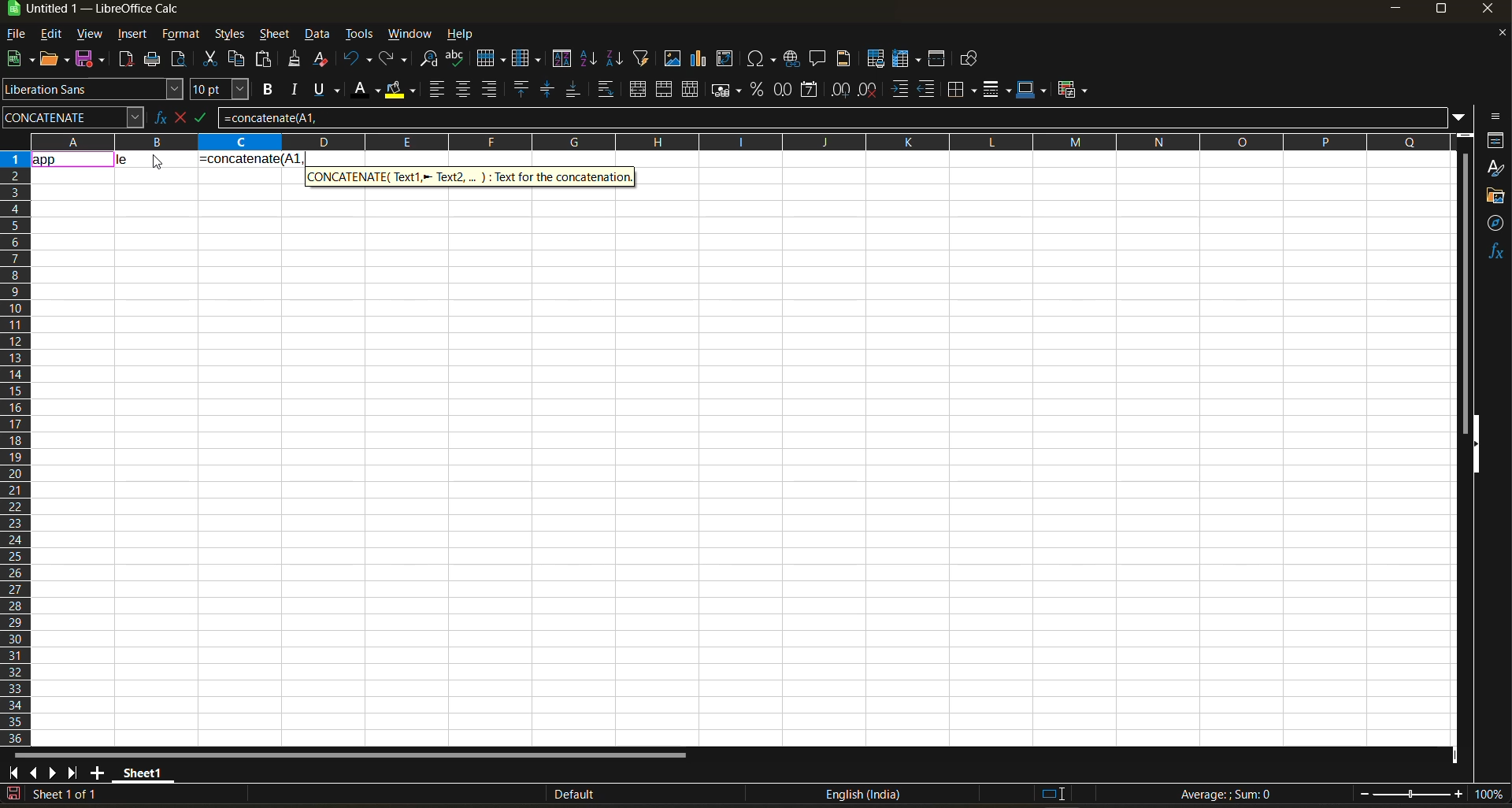  What do you see at coordinates (207, 120) in the screenshot?
I see `formula` at bounding box center [207, 120].